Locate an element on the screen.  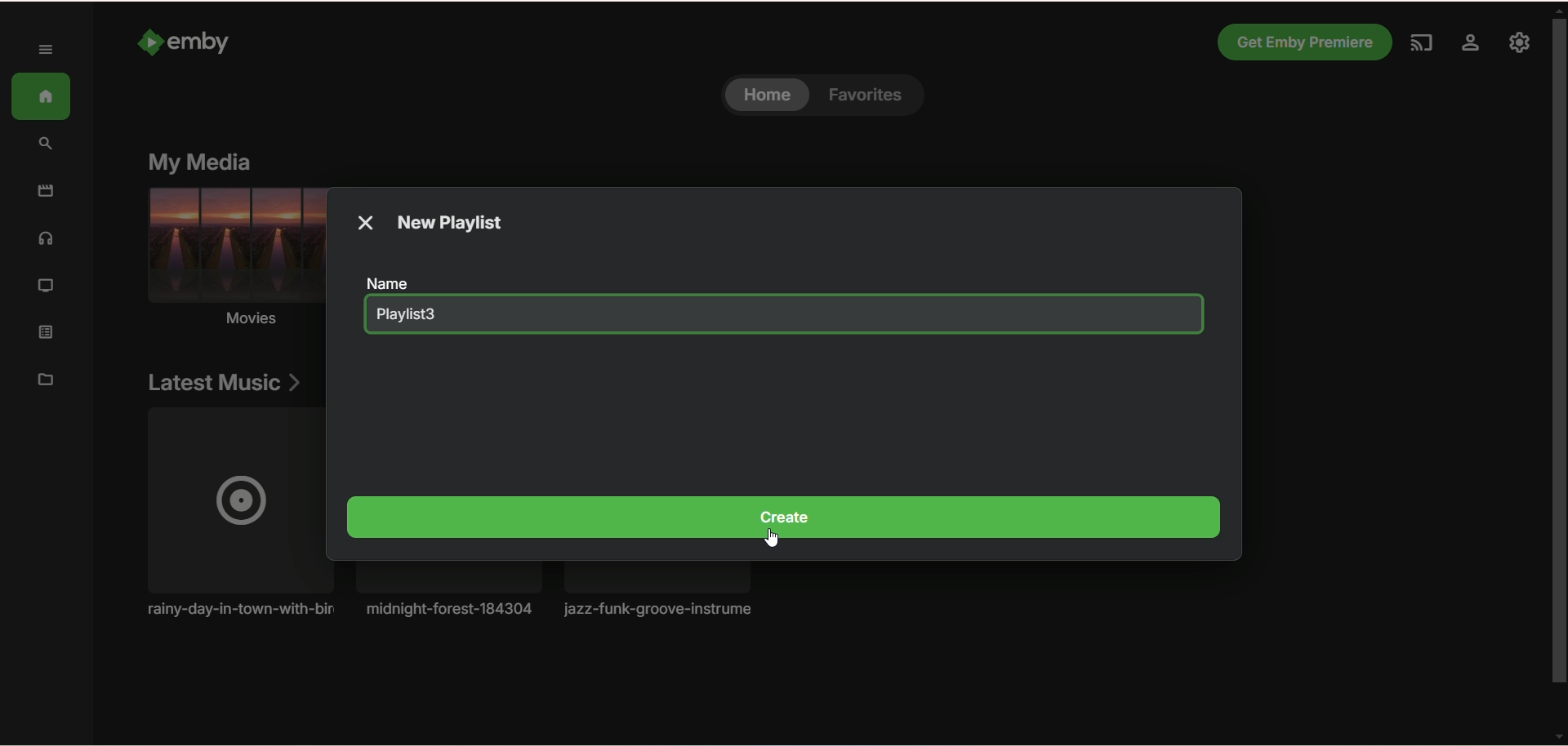
Get emby premiere is located at coordinates (1303, 42).